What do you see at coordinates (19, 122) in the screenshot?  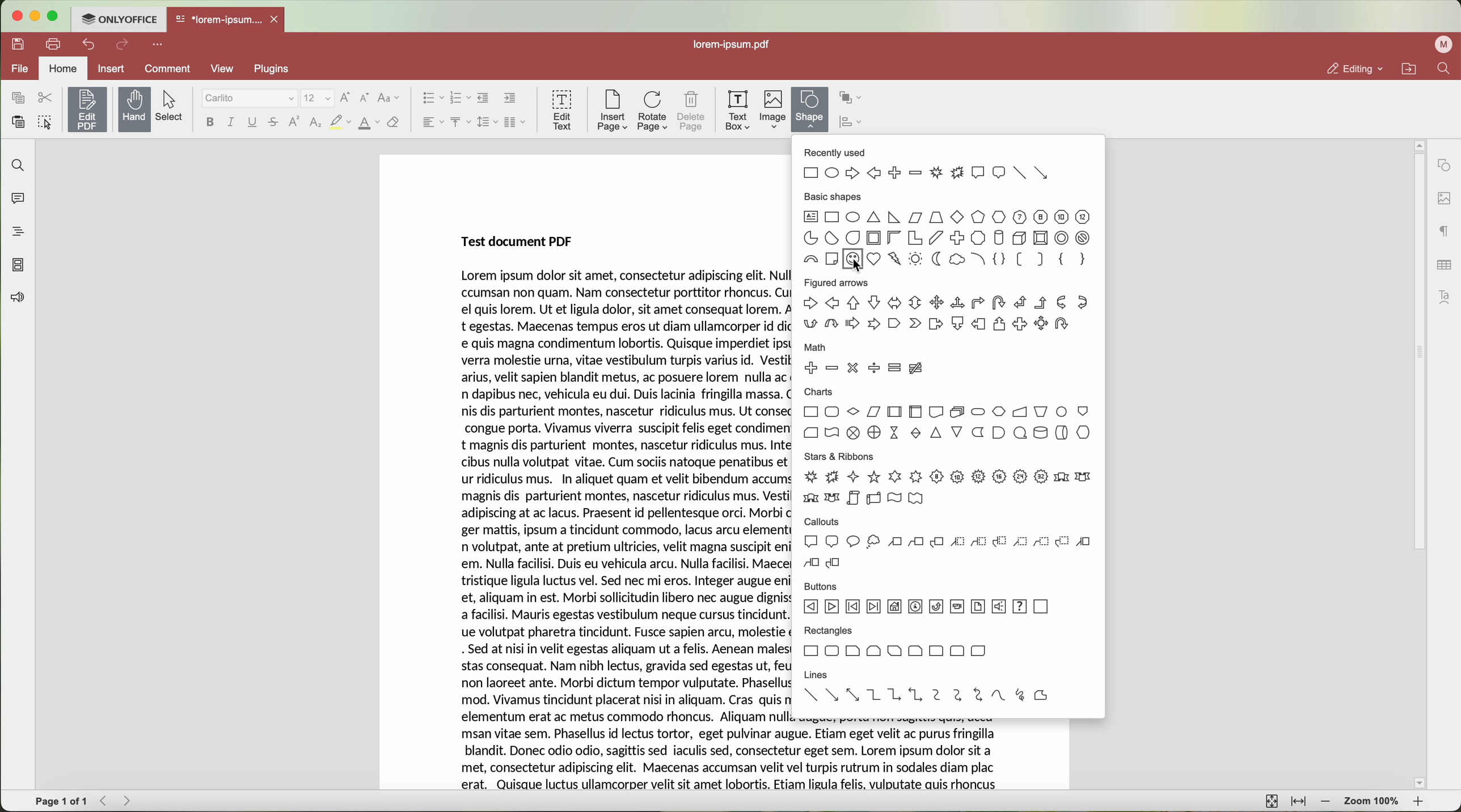 I see `paste` at bounding box center [19, 122].